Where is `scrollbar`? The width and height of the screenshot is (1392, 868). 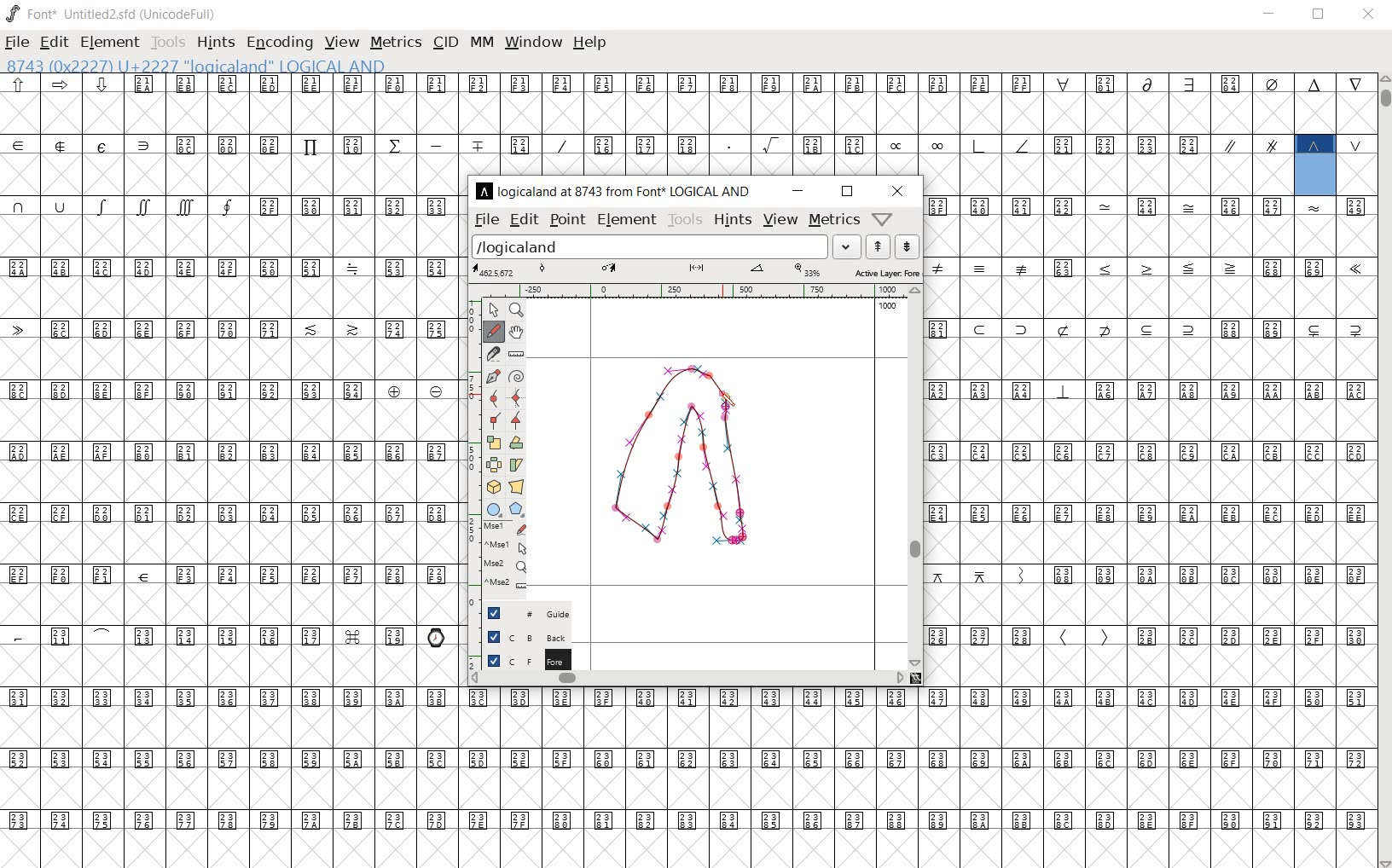 scrollbar is located at coordinates (686, 678).